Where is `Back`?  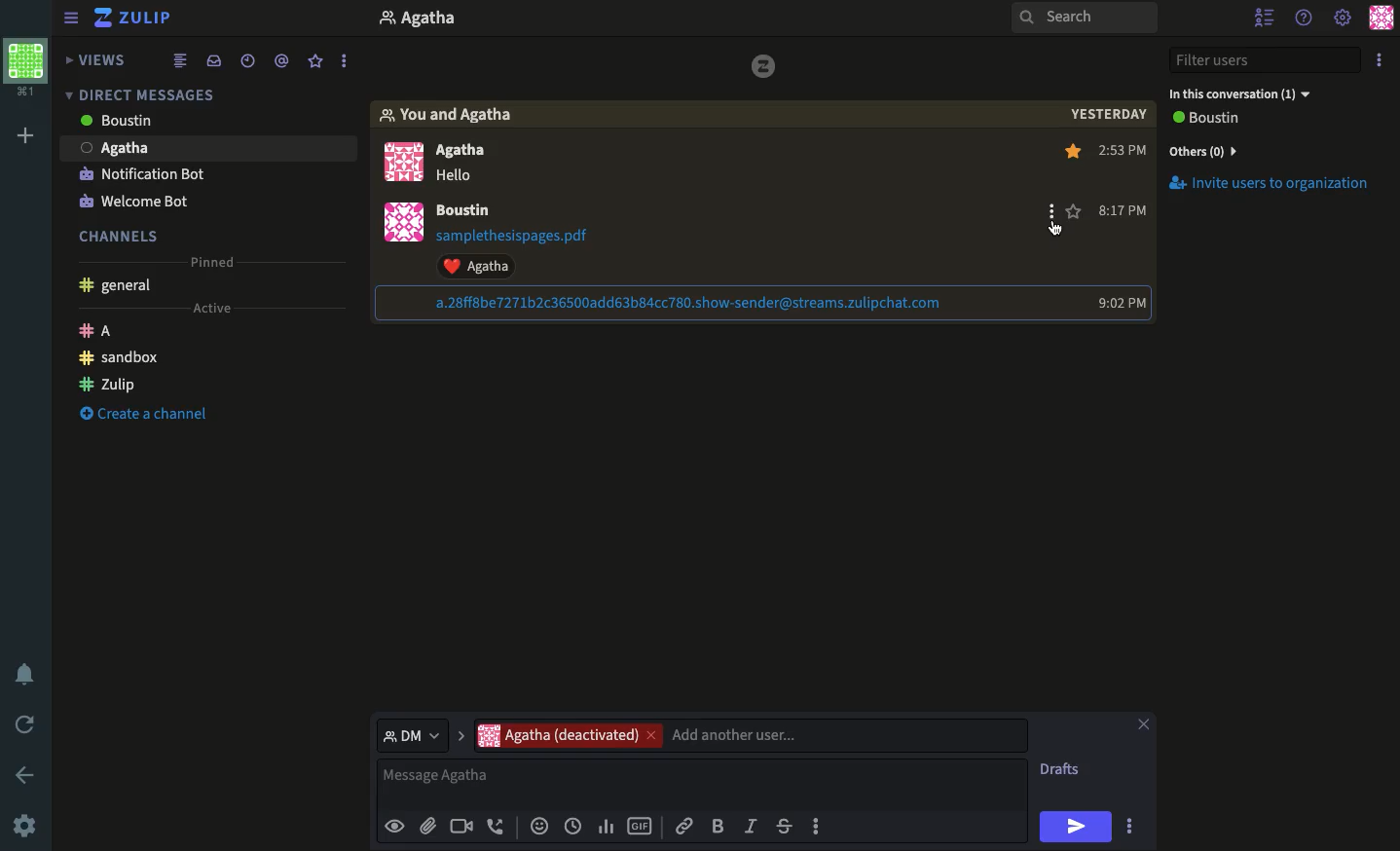
Back is located at coordinates (21, 773).